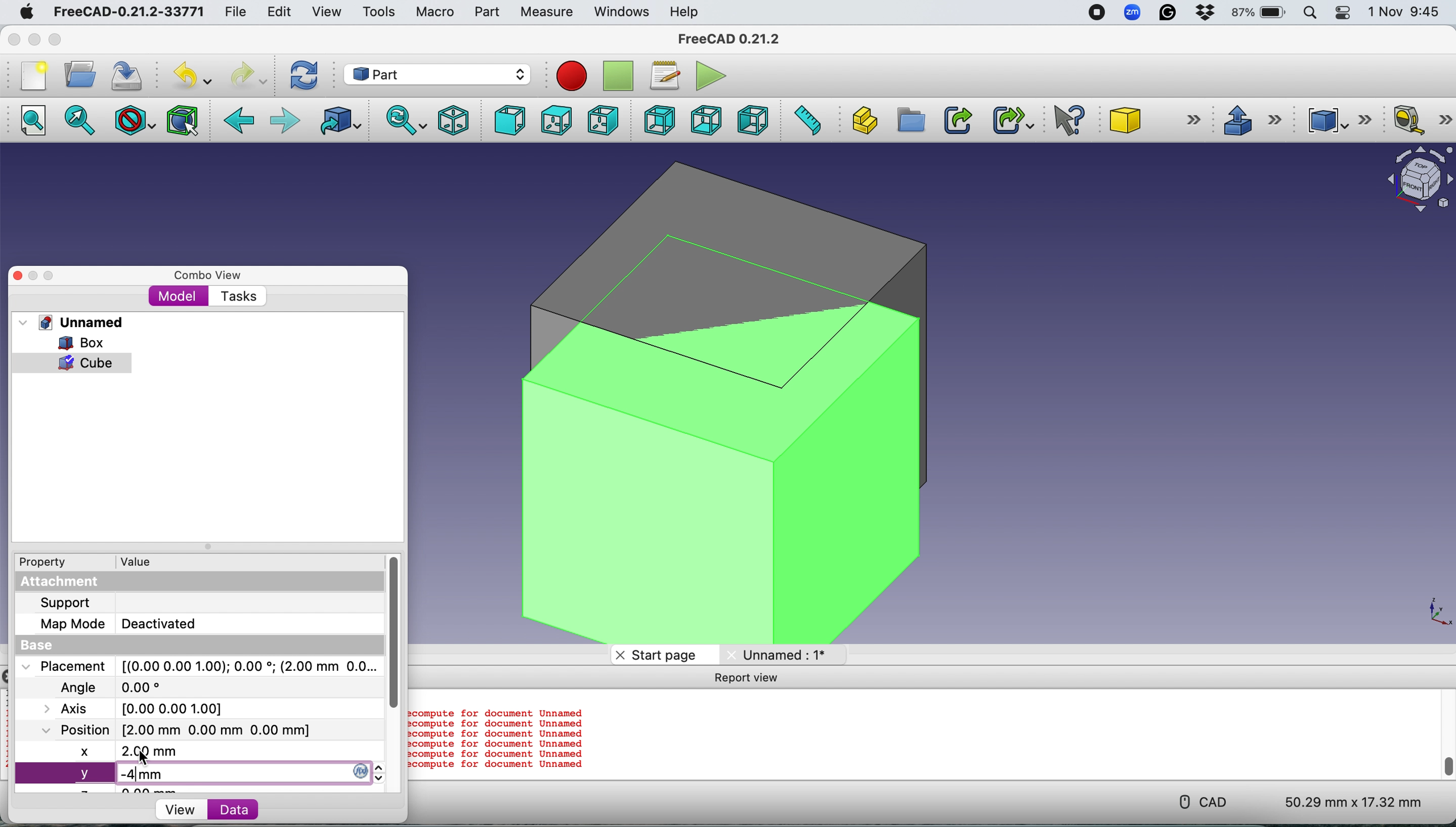 The width and height of the screenshot is (1456, 827). What do you see at coordinates (731, 40) in the screenshot?
I see `FreeCAD 0.21.2` at bounding box center [731, 40].